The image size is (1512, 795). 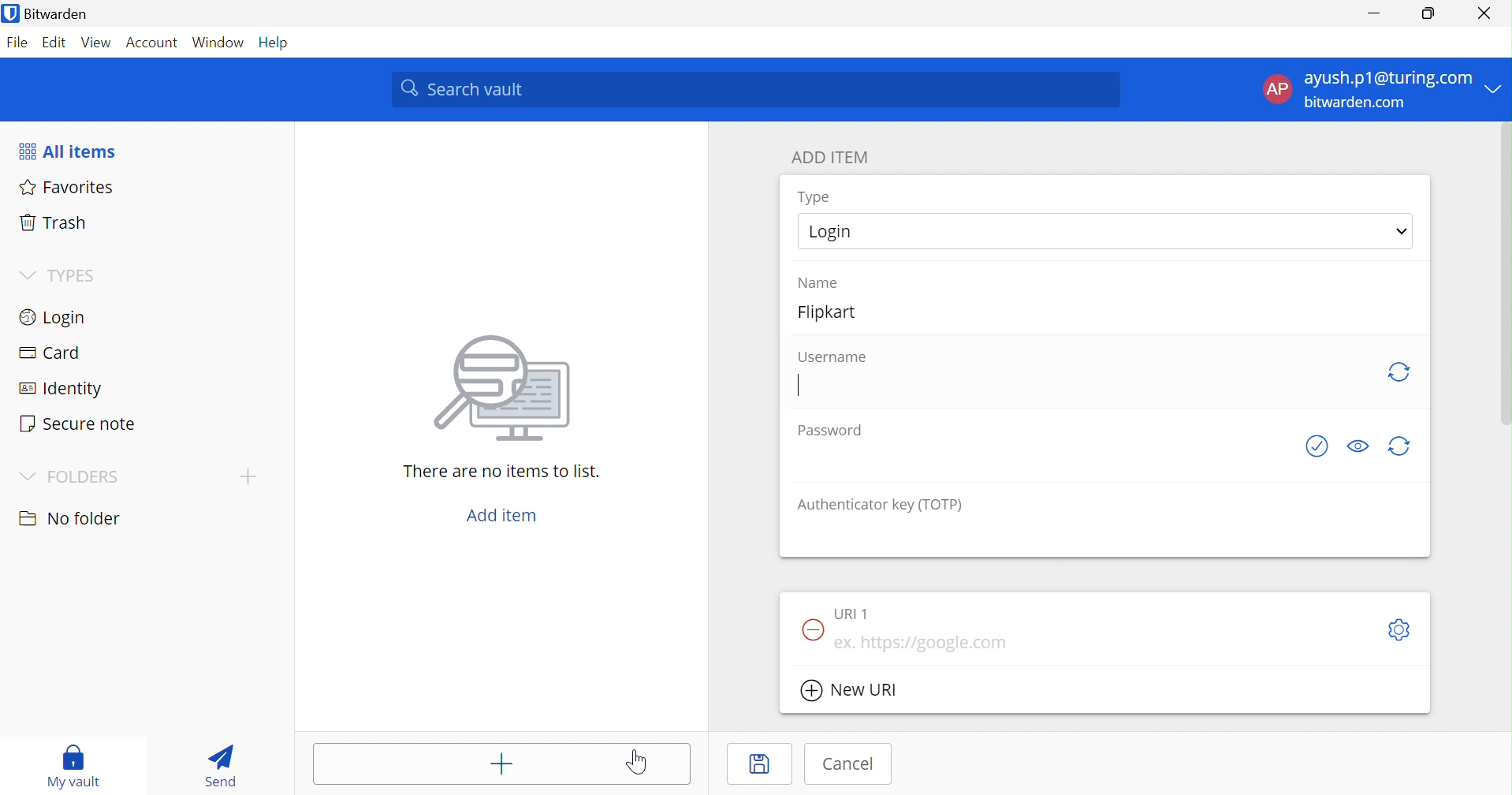 I want to click on There are no items to list., so click(x=503, y=473).